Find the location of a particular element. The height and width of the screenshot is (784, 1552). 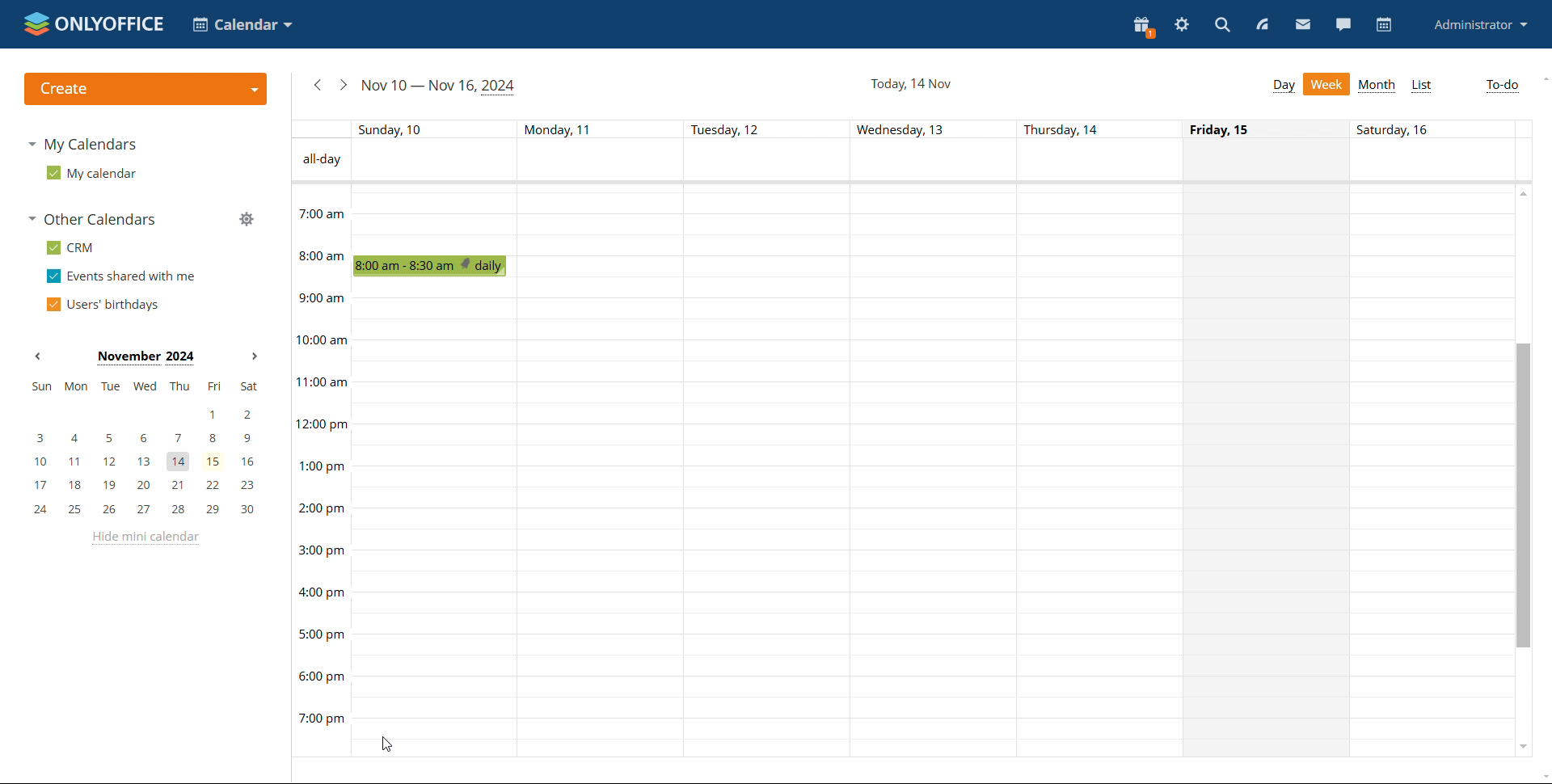

my calendar is located at coordinates (90, 172).